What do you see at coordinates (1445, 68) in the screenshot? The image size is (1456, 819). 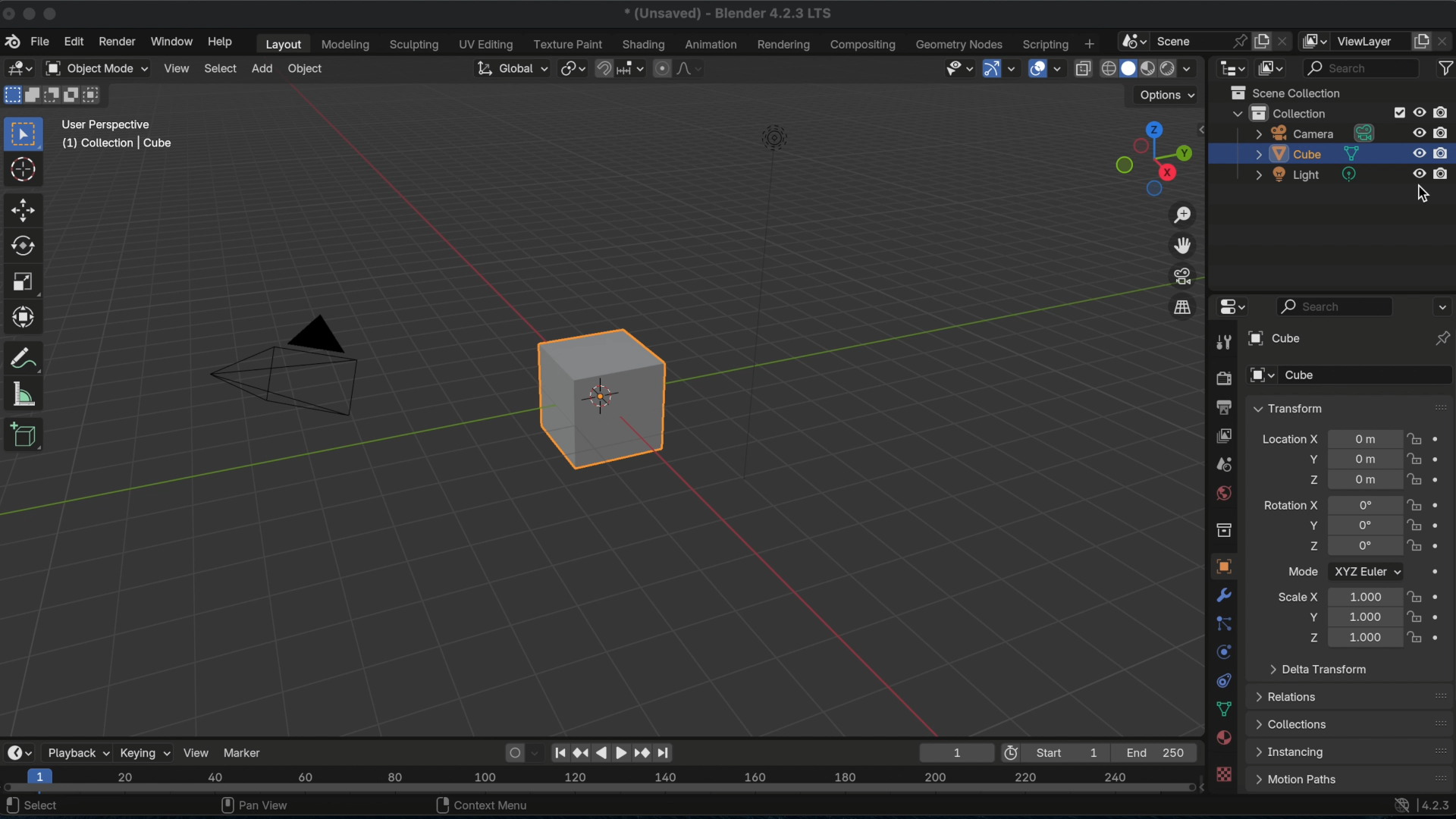 I see `filter` at bounding box center [1445, 68].